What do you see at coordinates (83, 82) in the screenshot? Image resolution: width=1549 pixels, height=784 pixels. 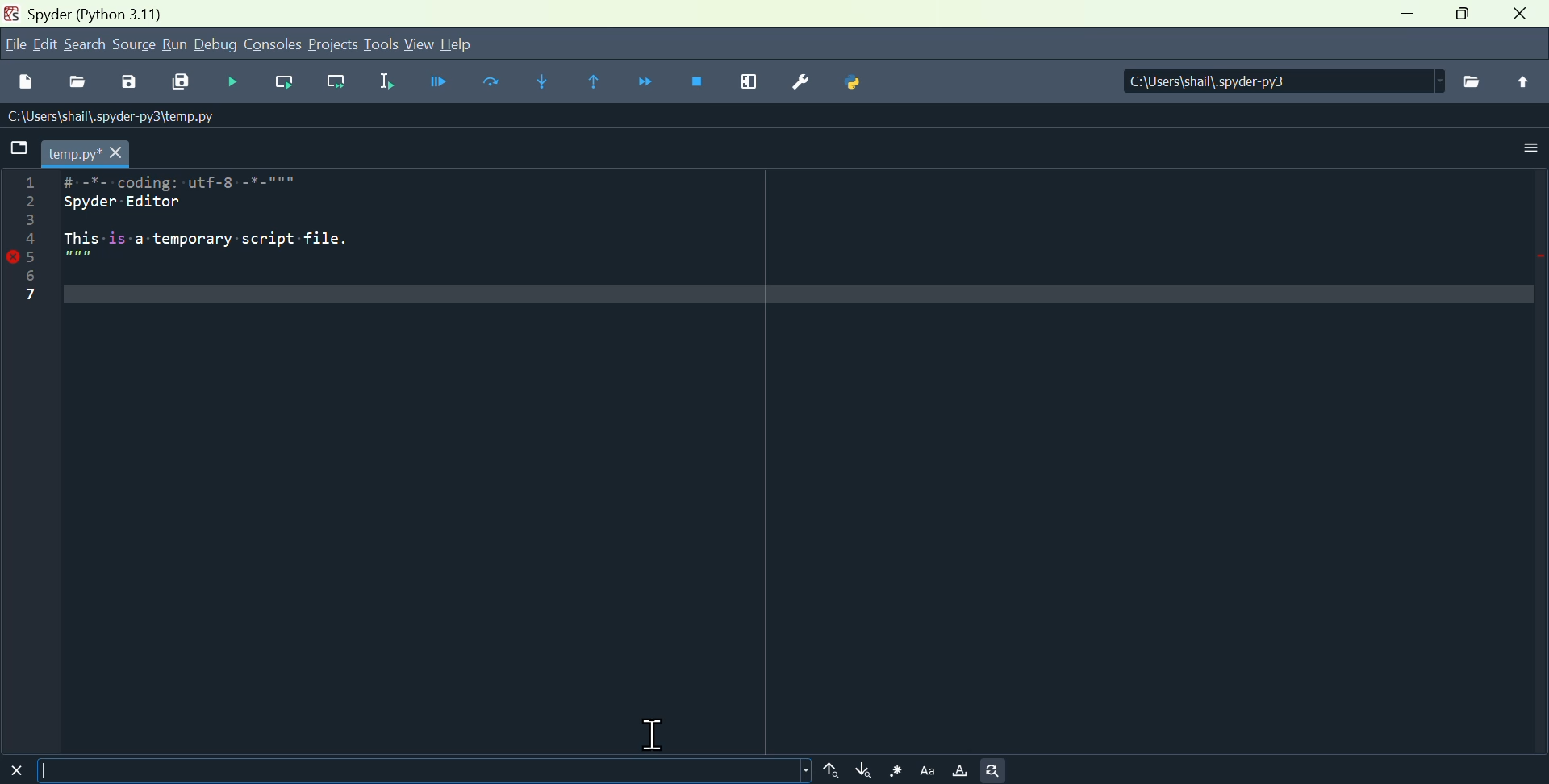 I see `Open file` at bounding box center [83, 82].